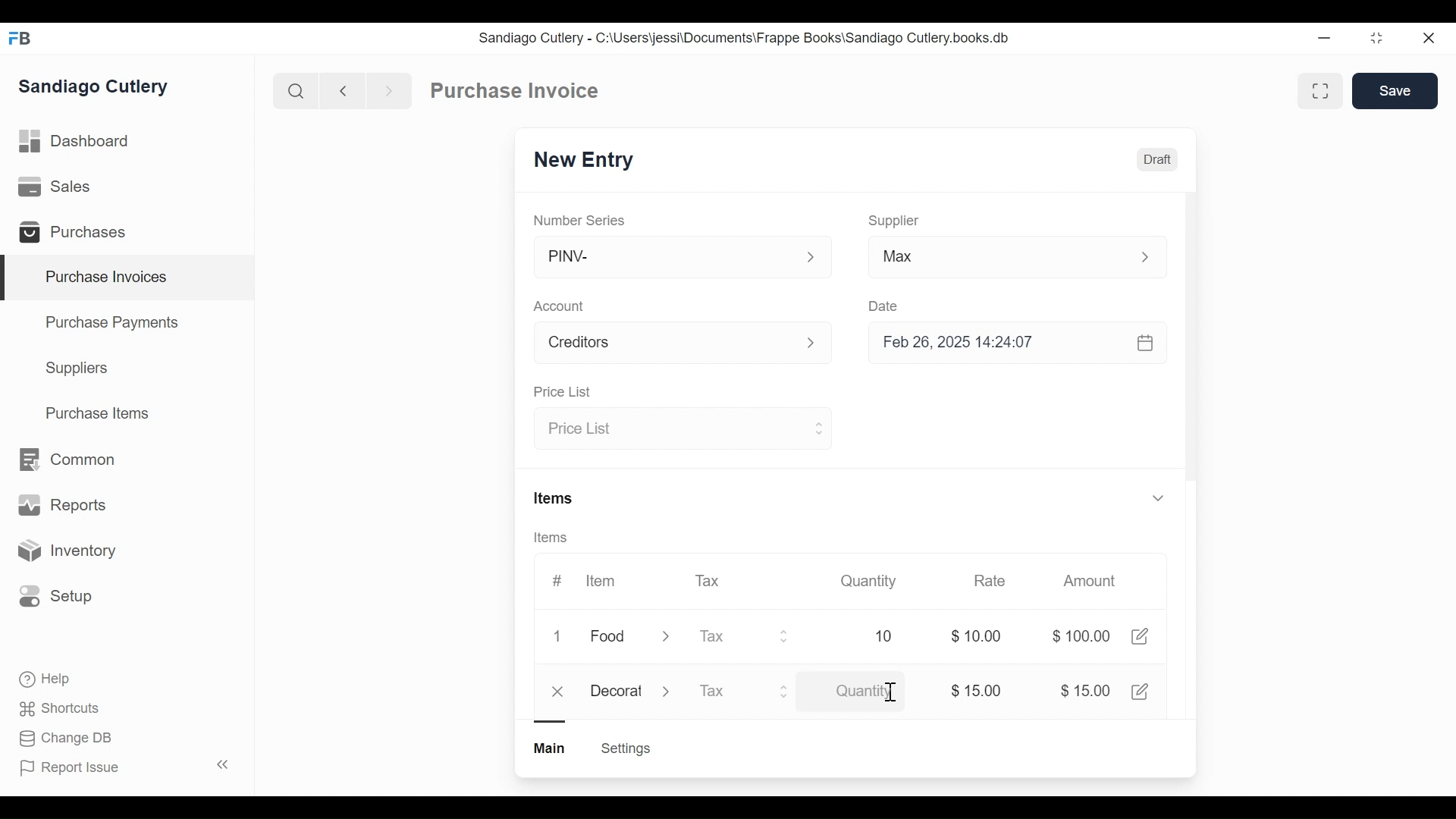  I want to click on Expand, so click(666, 639).